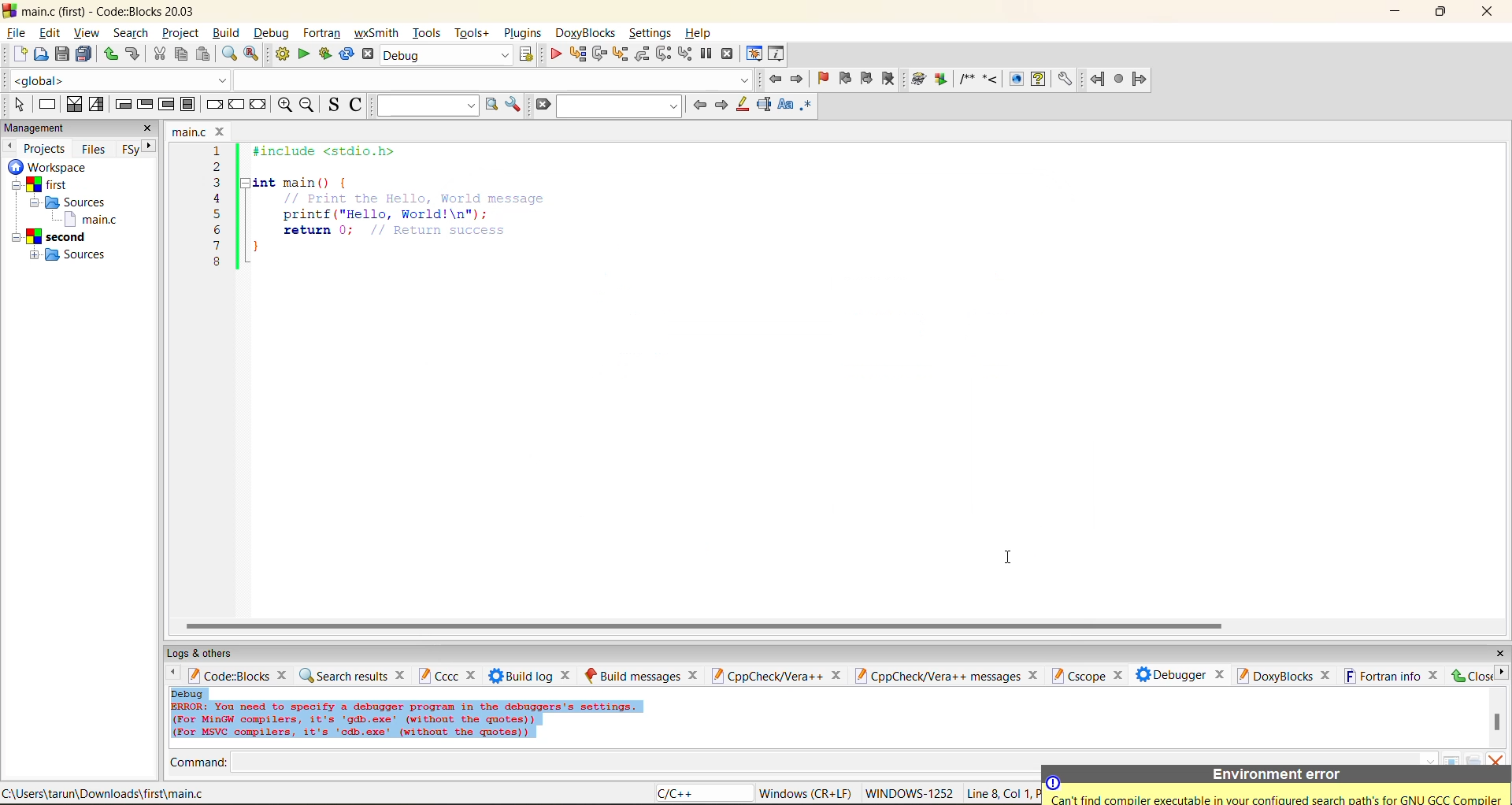 The height and width of the screenshot is (805, 1512). What do you see at coordinates (721, 105) in the screenshot?
I see `next` at bounding box center [721, 105].